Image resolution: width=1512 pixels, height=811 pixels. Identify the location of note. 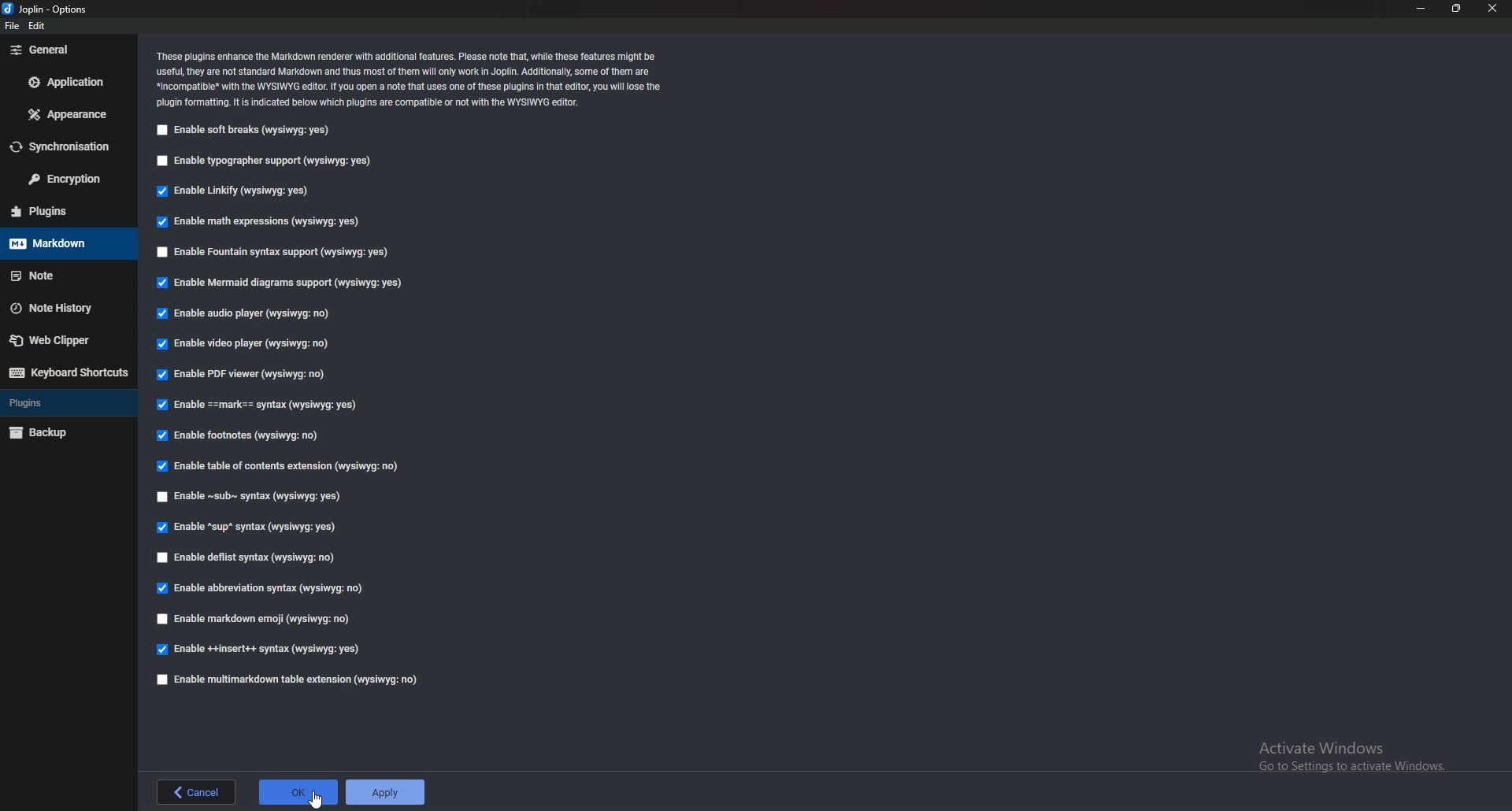
(66, 276).